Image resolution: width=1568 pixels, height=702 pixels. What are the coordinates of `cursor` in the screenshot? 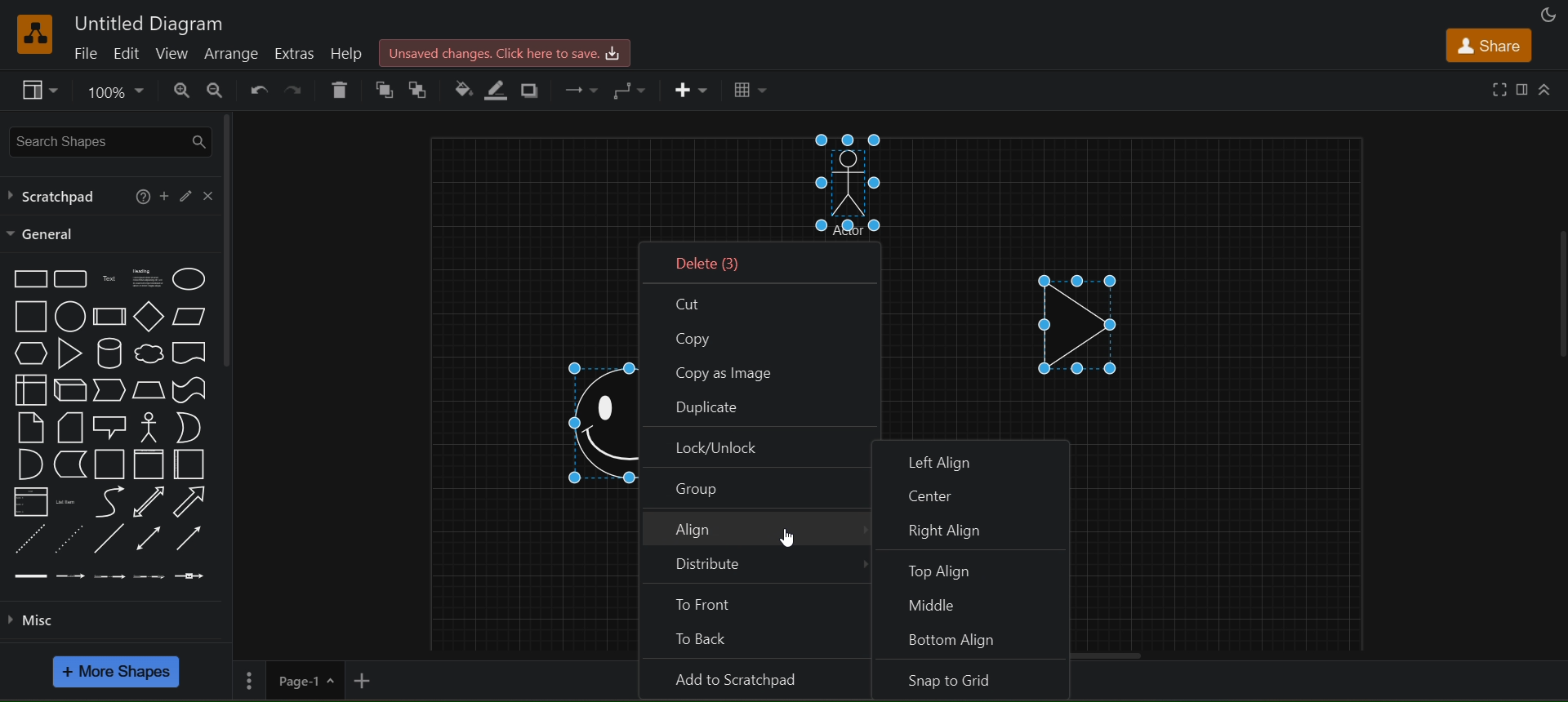 It's located at (790, 536).